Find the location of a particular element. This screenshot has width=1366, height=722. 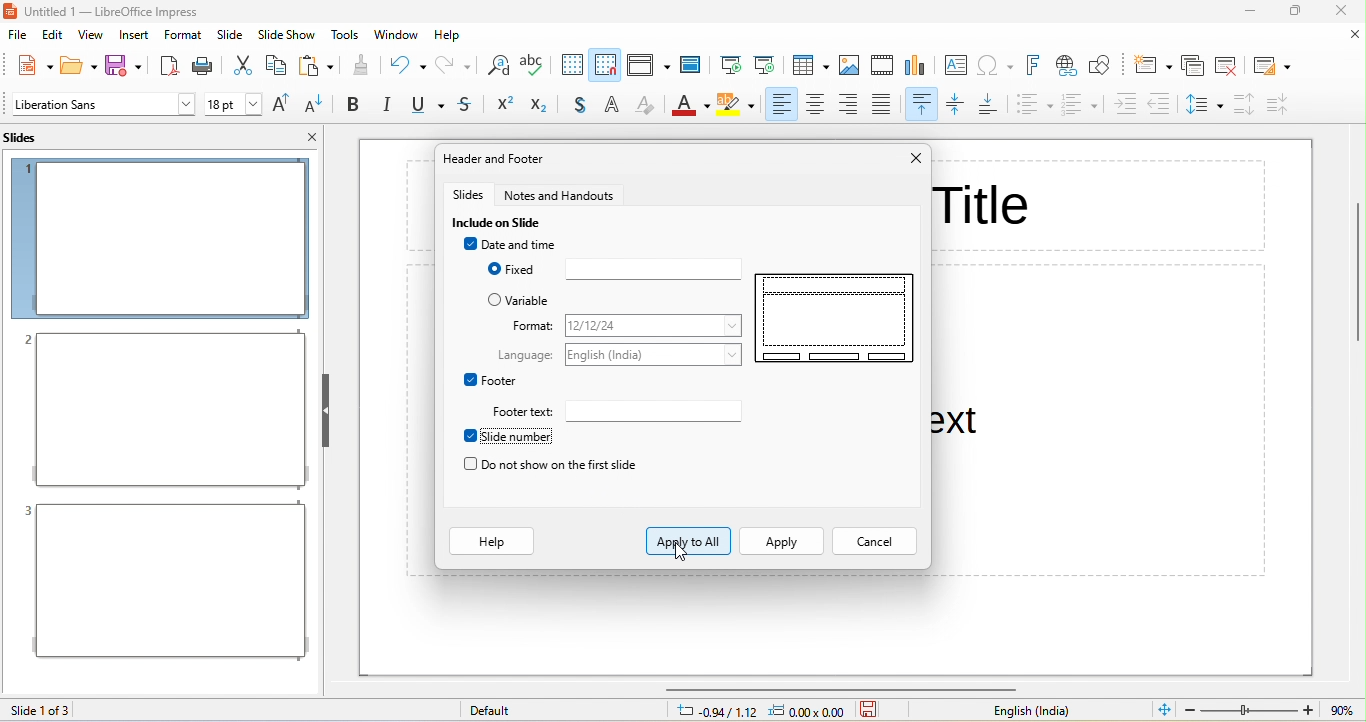

Checkbox is located at coordinates (495, 299).